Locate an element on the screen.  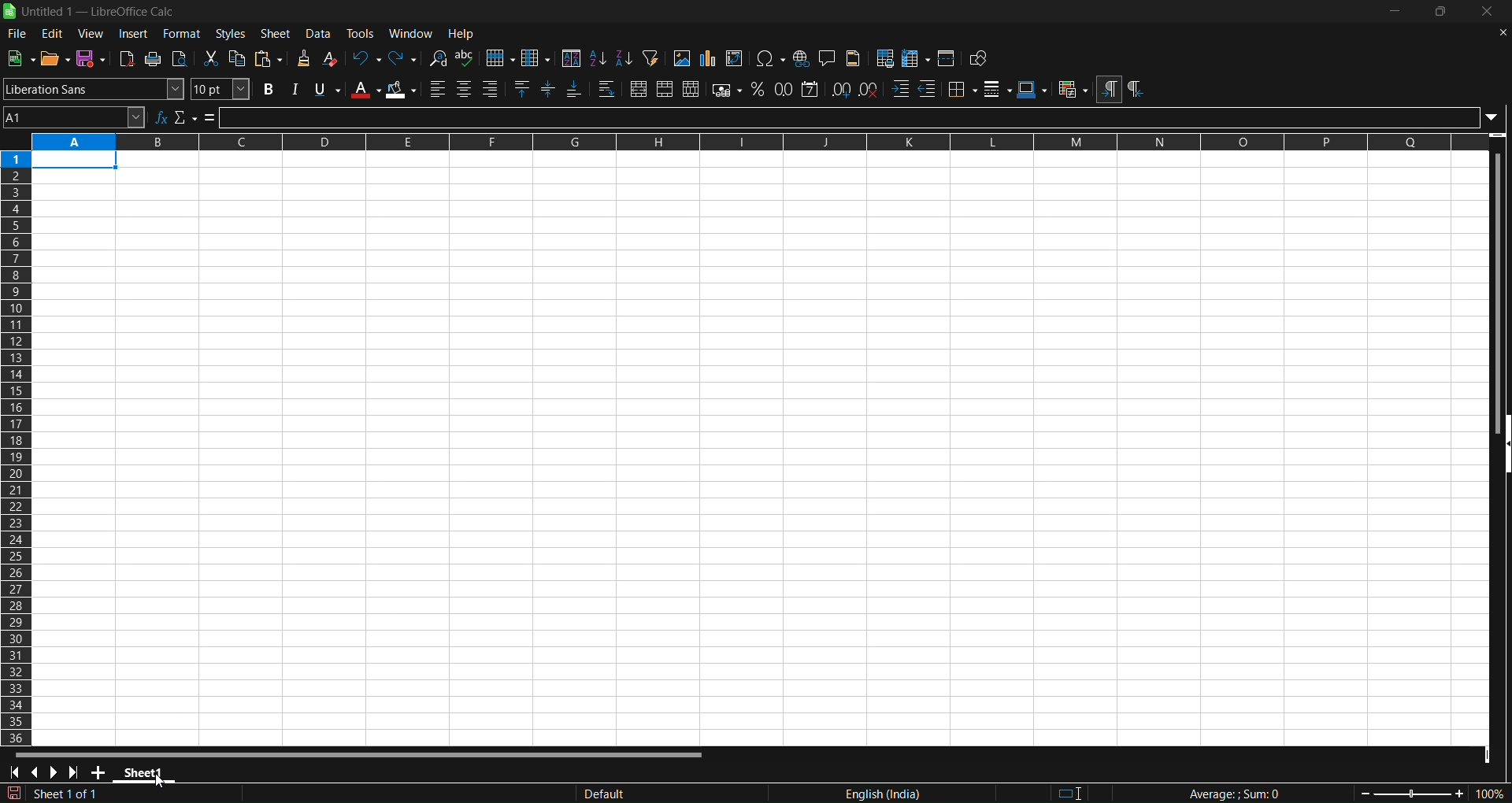
undo is located at coordinates (365, 57).